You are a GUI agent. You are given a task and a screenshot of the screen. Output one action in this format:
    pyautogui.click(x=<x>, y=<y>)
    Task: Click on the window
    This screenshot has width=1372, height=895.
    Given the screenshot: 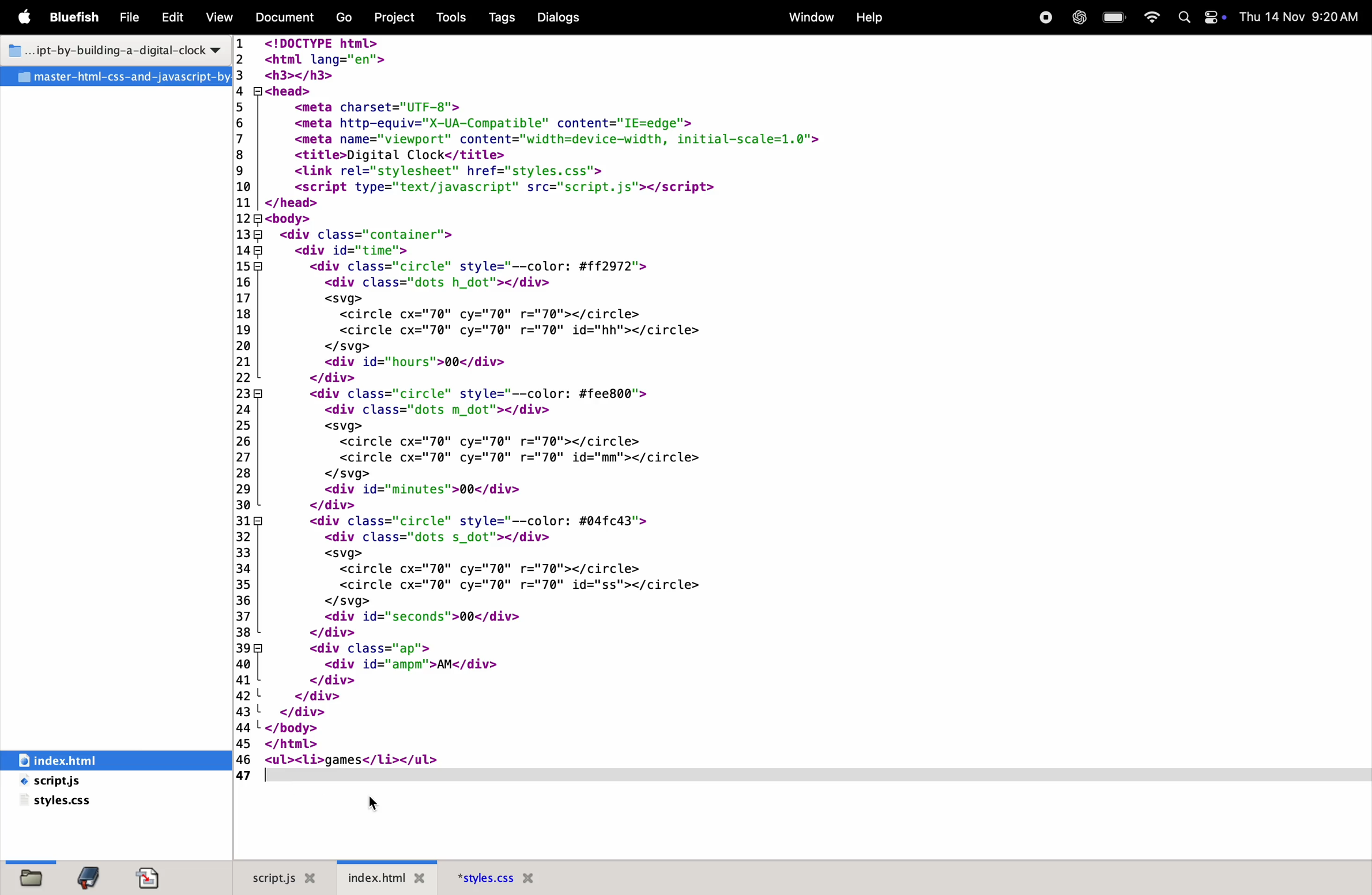 What is the action you would take?
    pyautogui.click(x=809, y=16)
    